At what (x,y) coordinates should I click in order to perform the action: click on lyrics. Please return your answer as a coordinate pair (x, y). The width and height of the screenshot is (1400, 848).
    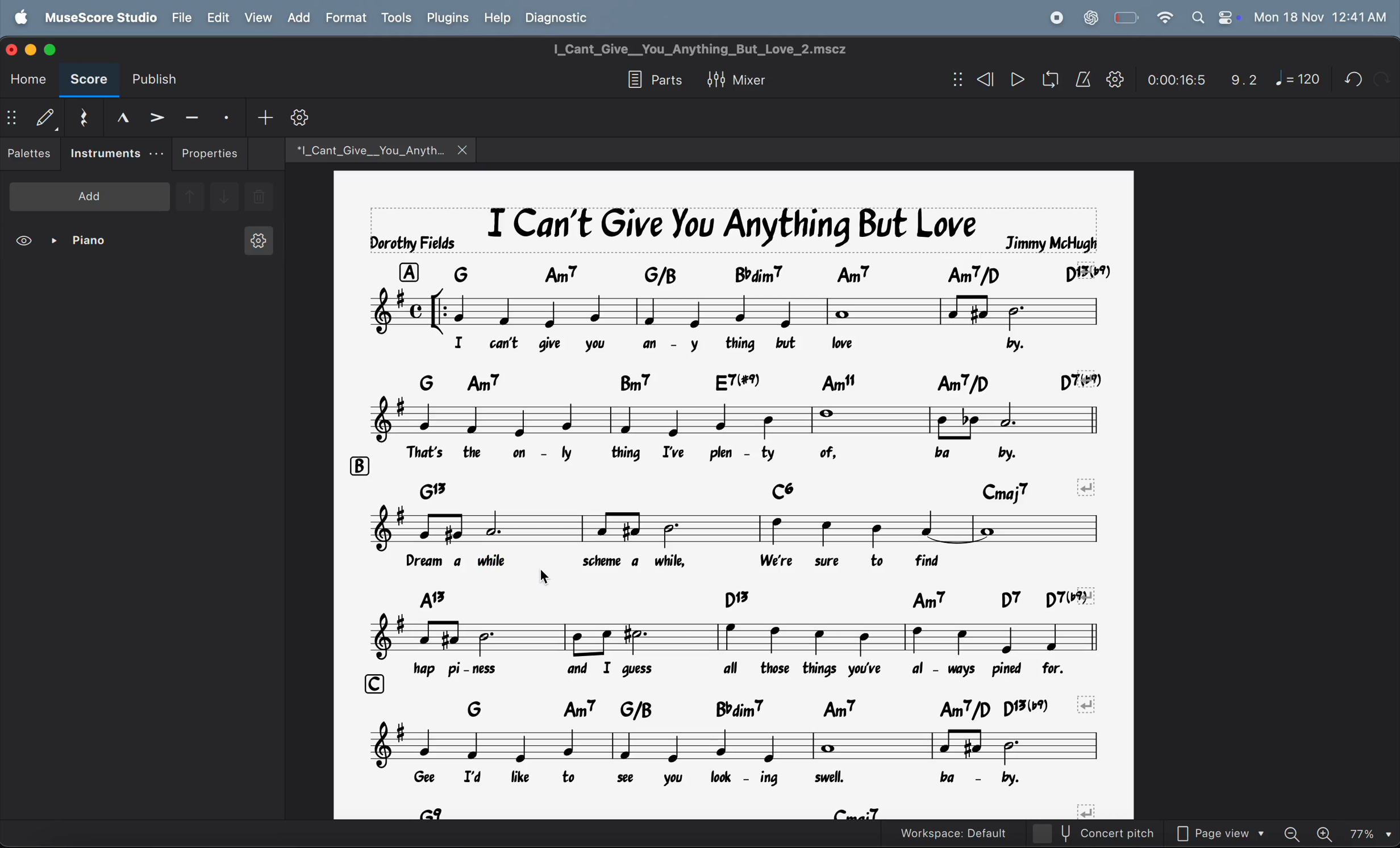
    Looking at the image, I should click on (766, 673).